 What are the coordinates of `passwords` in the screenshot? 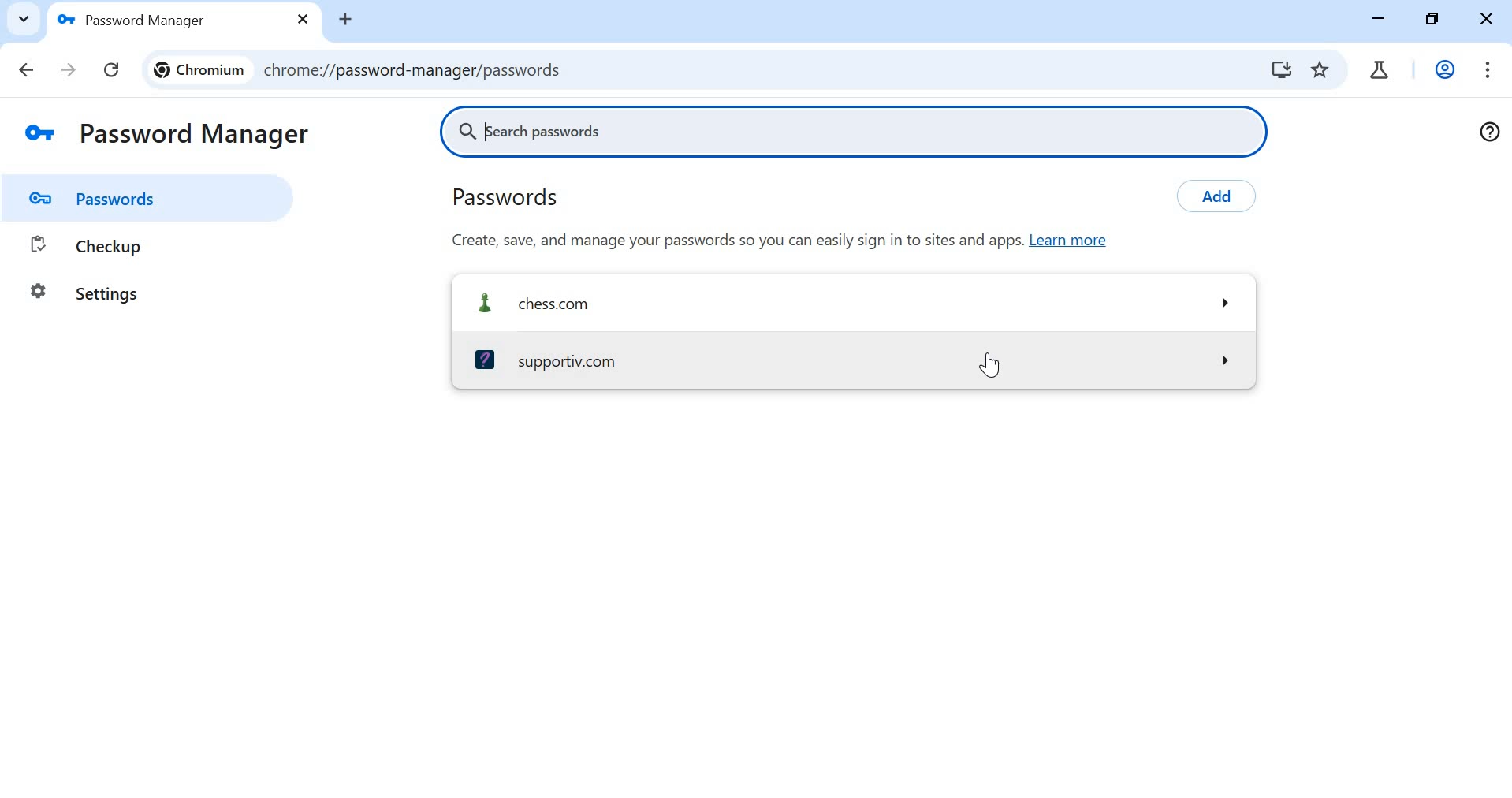 It's located at (155, 199).